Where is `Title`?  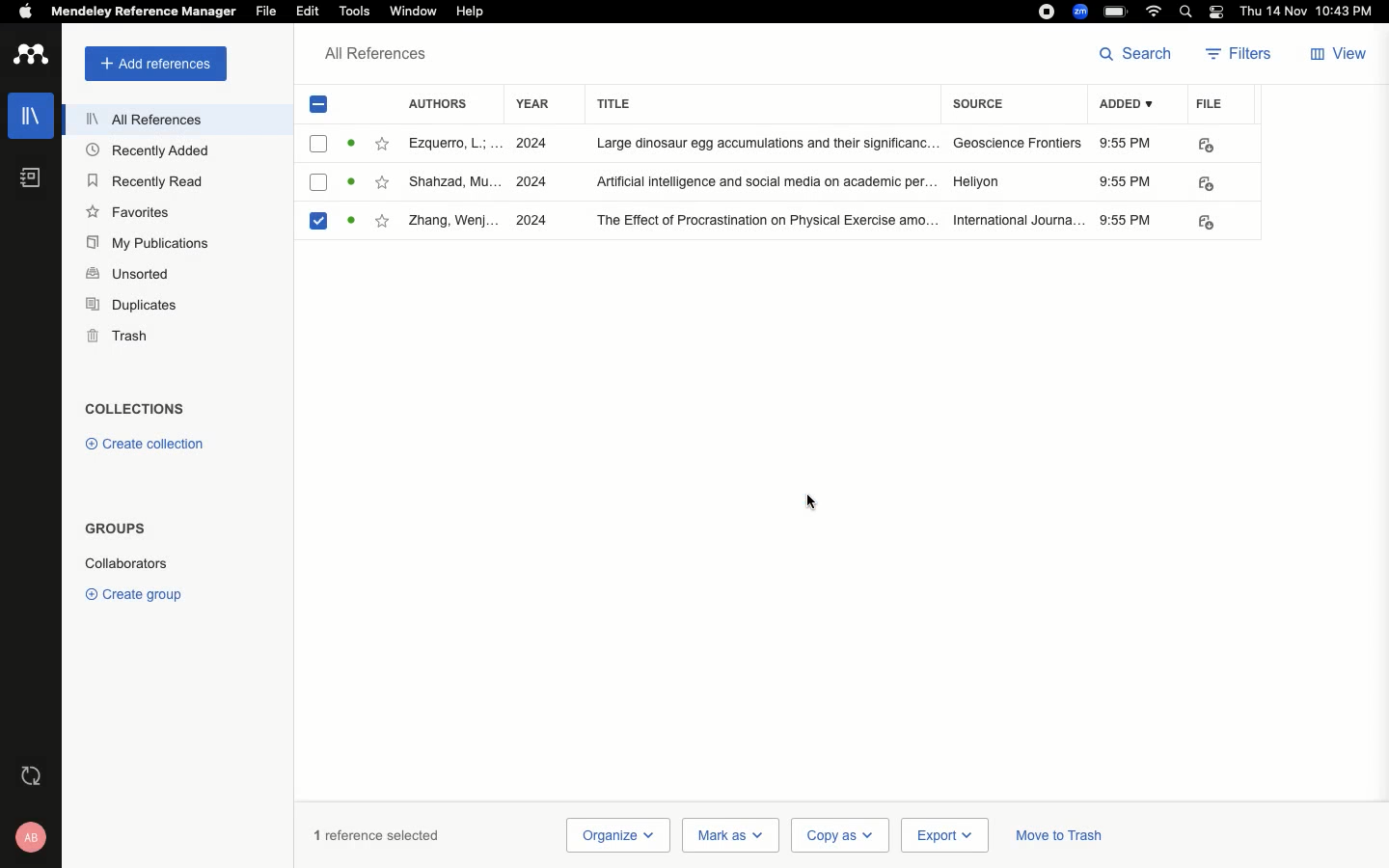 Title is located at coordinates (764, 103).